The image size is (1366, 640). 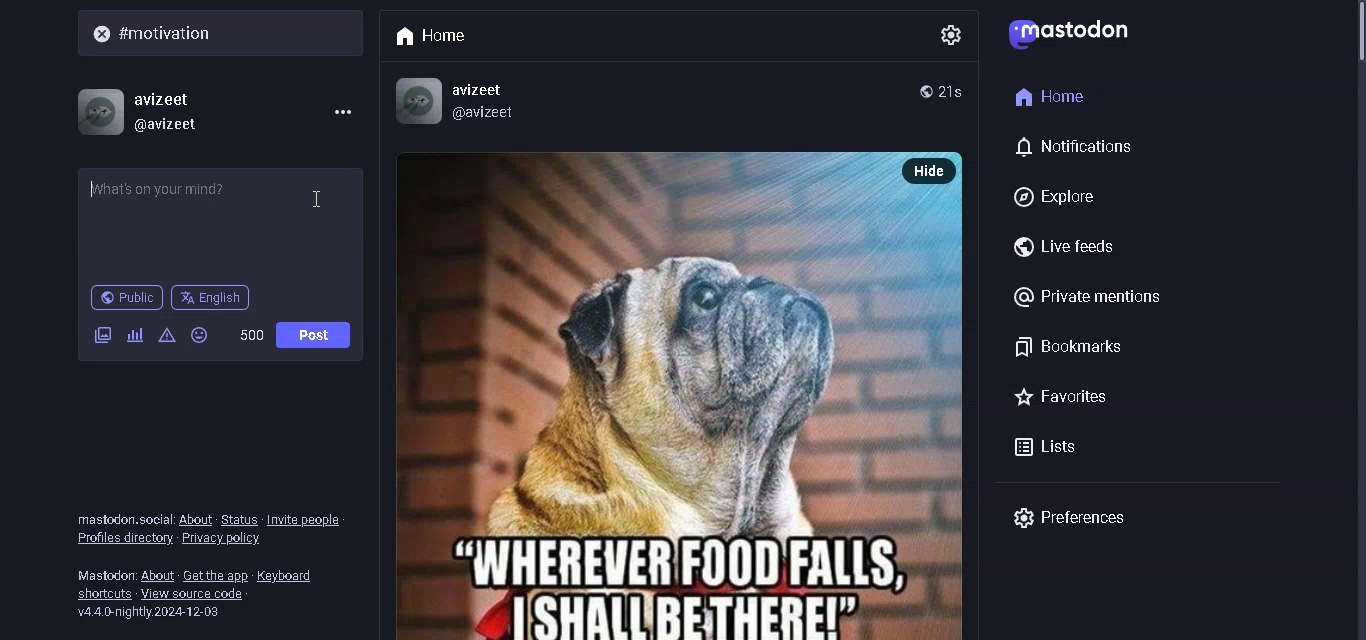 What do you see at coordinates (486, 113) in the screenshot?
I see `@avizeet` at bounding box center [486, 113].